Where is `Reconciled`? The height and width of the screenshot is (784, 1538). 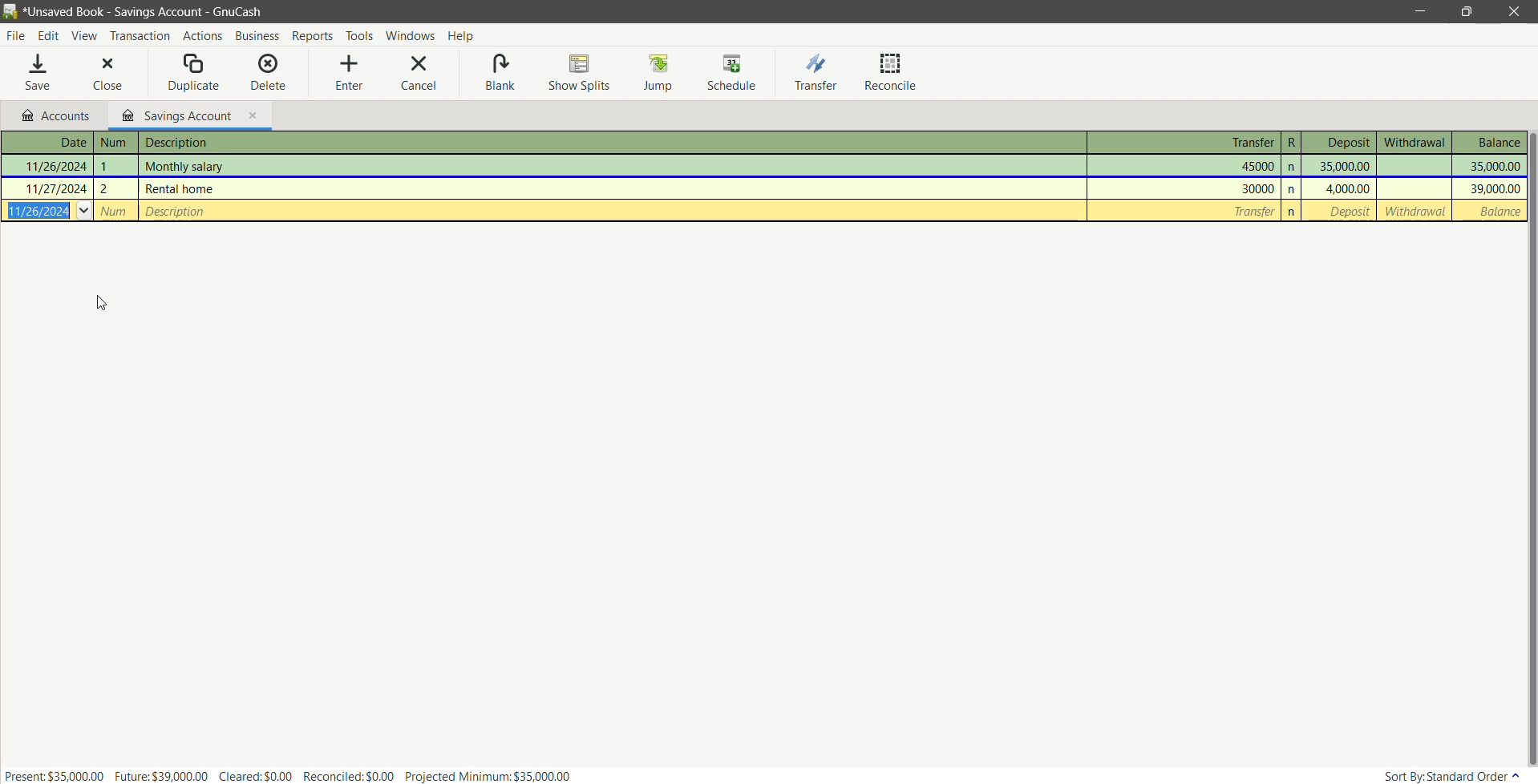
Reconciled is located at coordinates (350, 775).